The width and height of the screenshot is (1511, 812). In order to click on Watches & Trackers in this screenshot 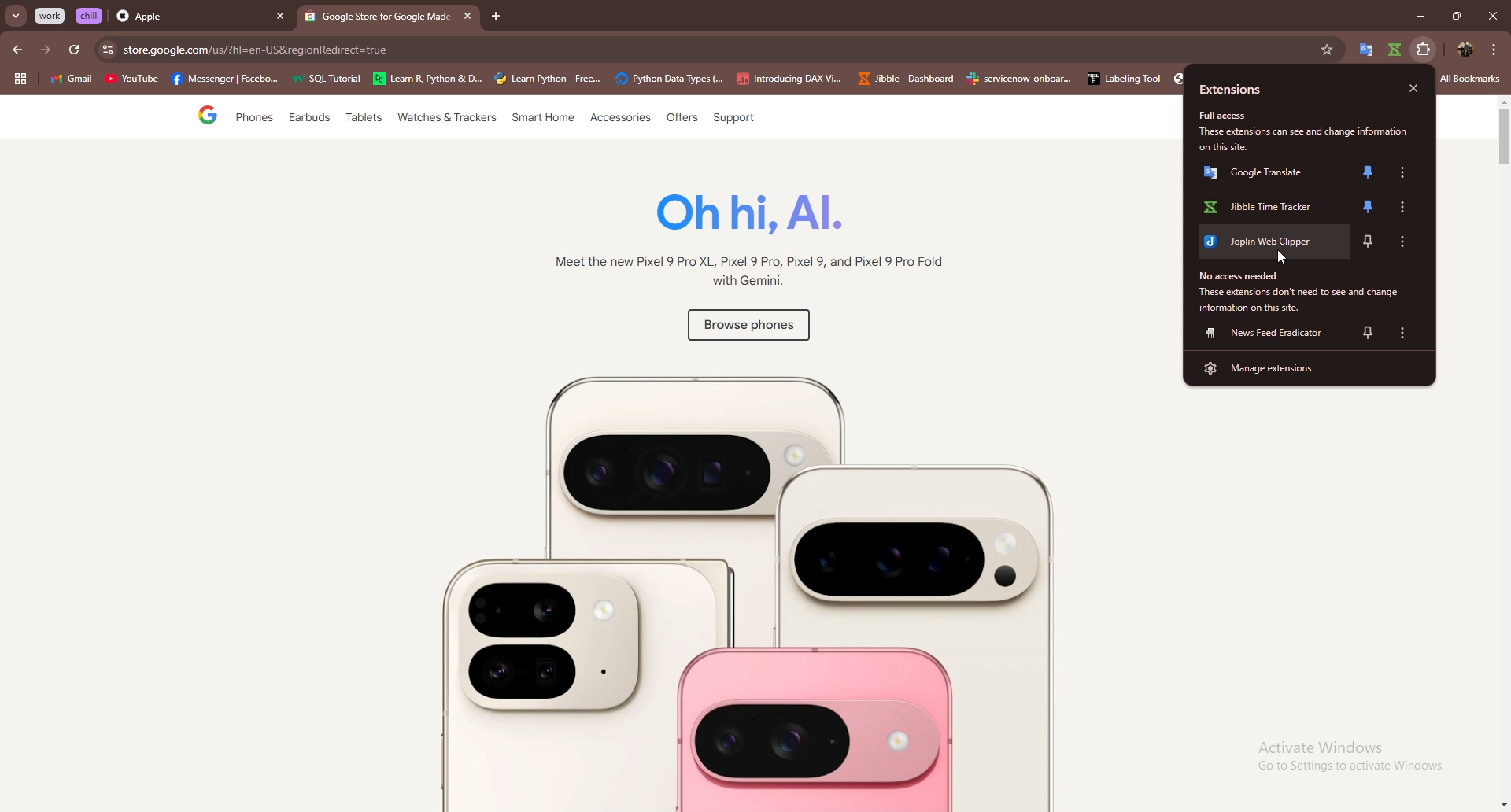, I will do `click(449, 119)`.